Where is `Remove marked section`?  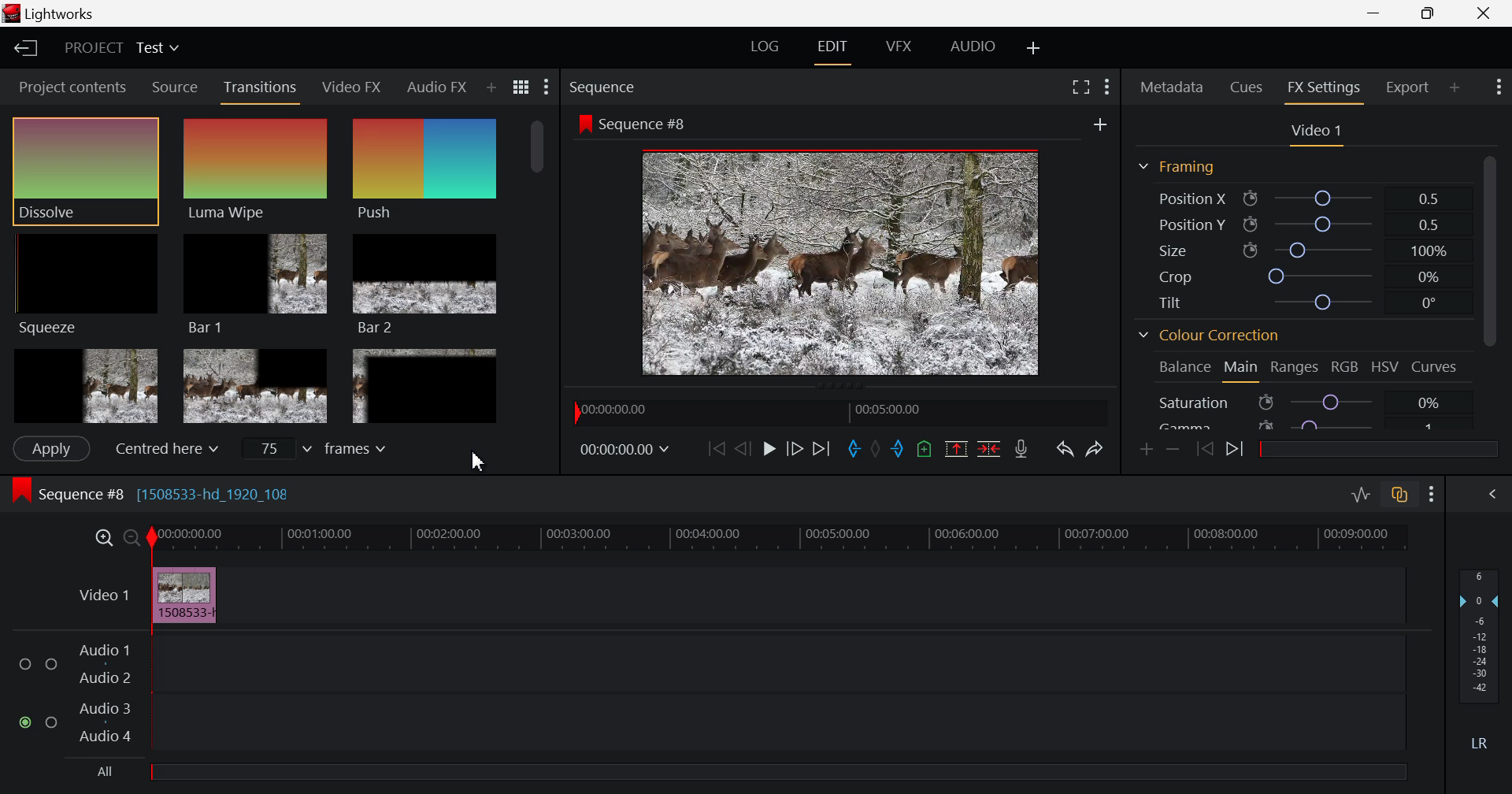
Remove marked section is located at coordinates (956, 450).